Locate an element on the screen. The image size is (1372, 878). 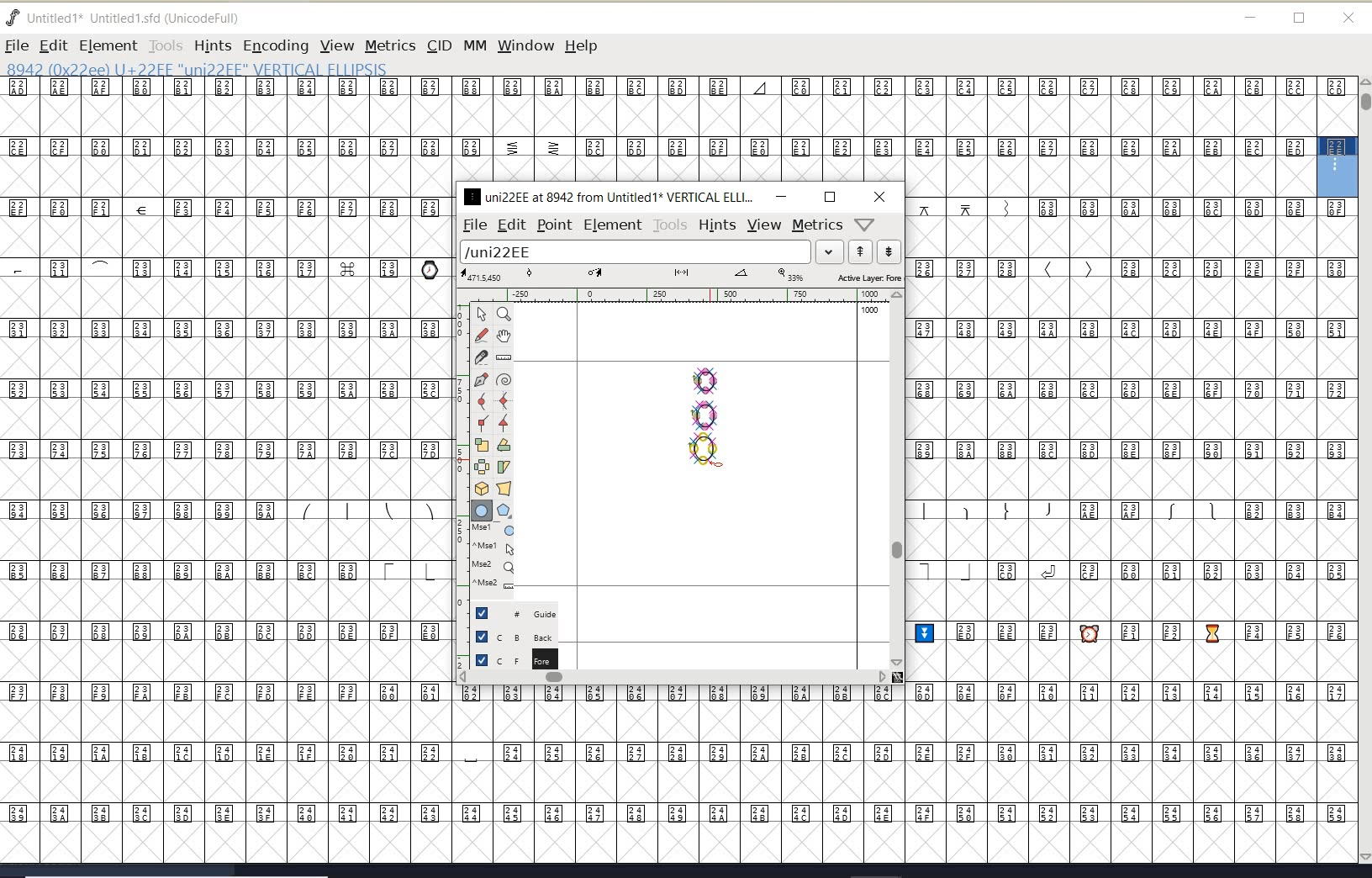
foreground is located at coordinates (514, 658).